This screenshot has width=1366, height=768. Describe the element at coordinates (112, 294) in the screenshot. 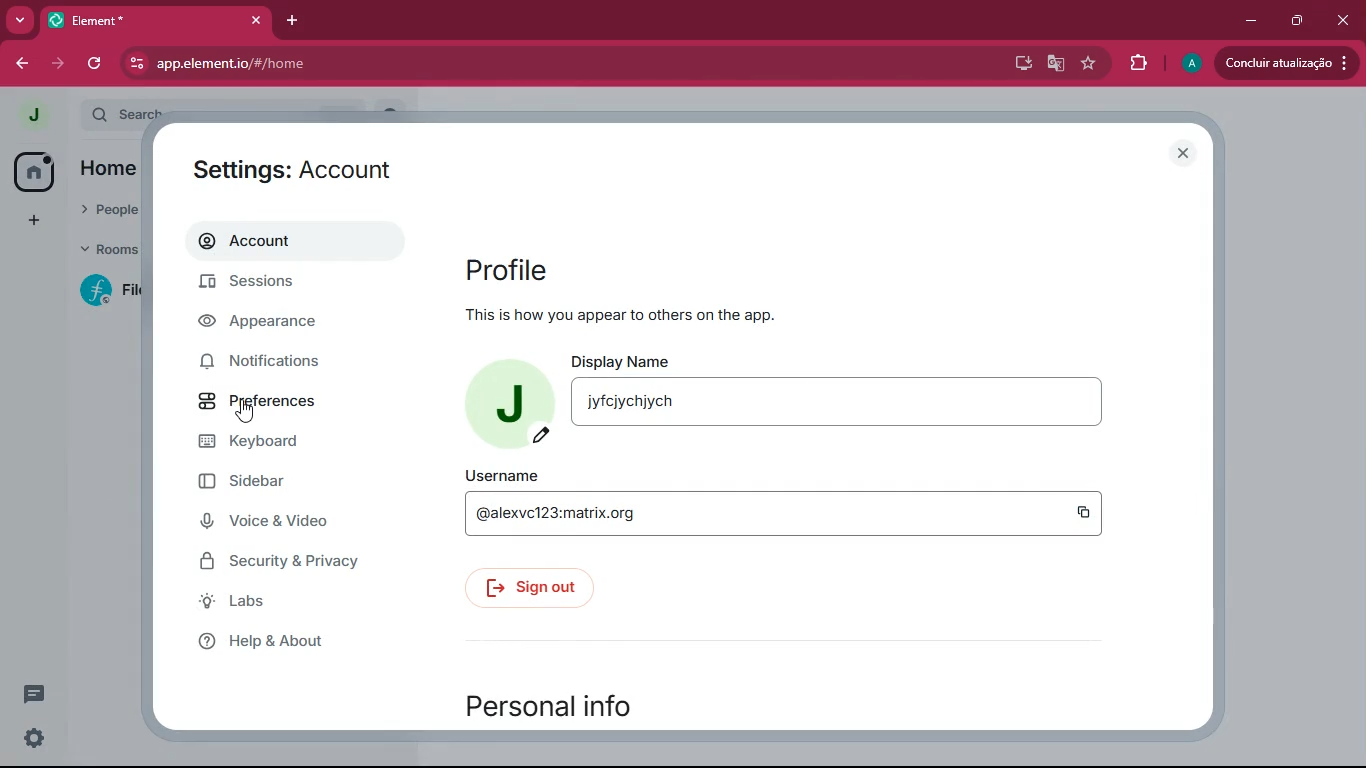

I see `f file` at that location.